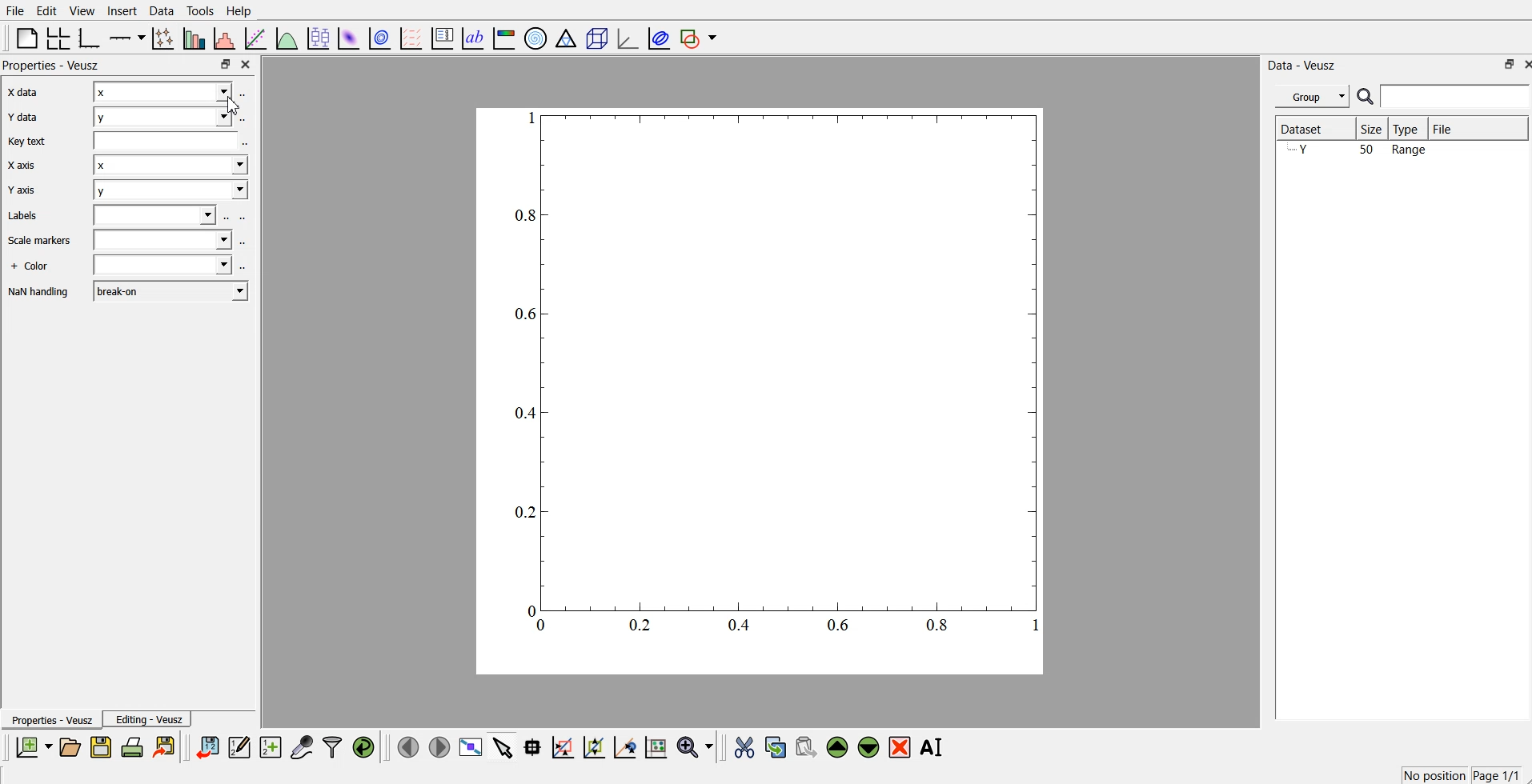  Describe the element at coordinates (30, 166) in the screenshot. I see `X axis` at that location.